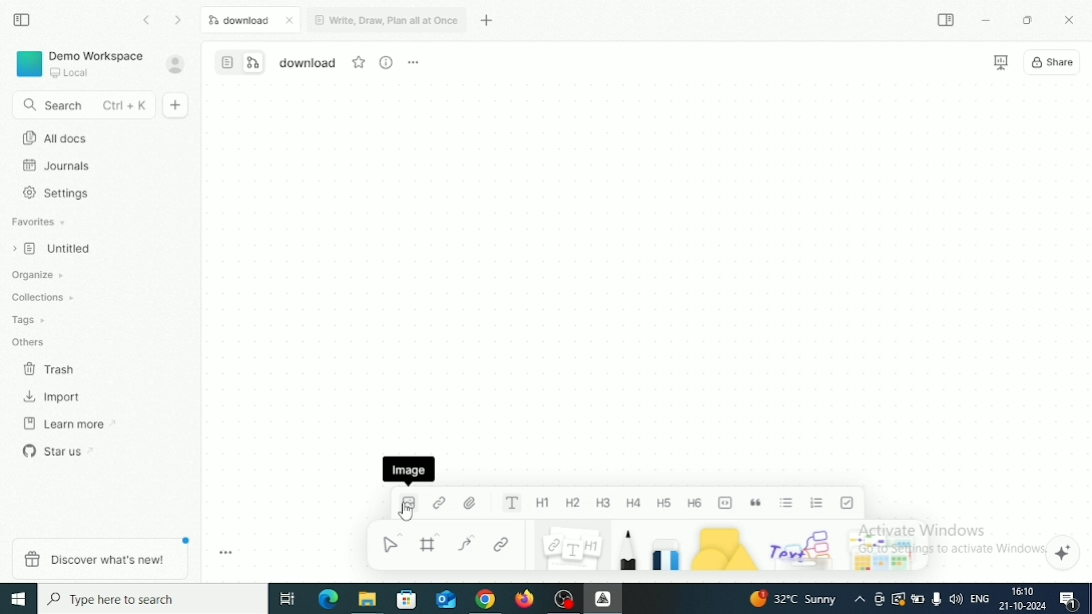  Describe the element at coordinates (757, 503) in the screenshot. I see `Quote` at that location.